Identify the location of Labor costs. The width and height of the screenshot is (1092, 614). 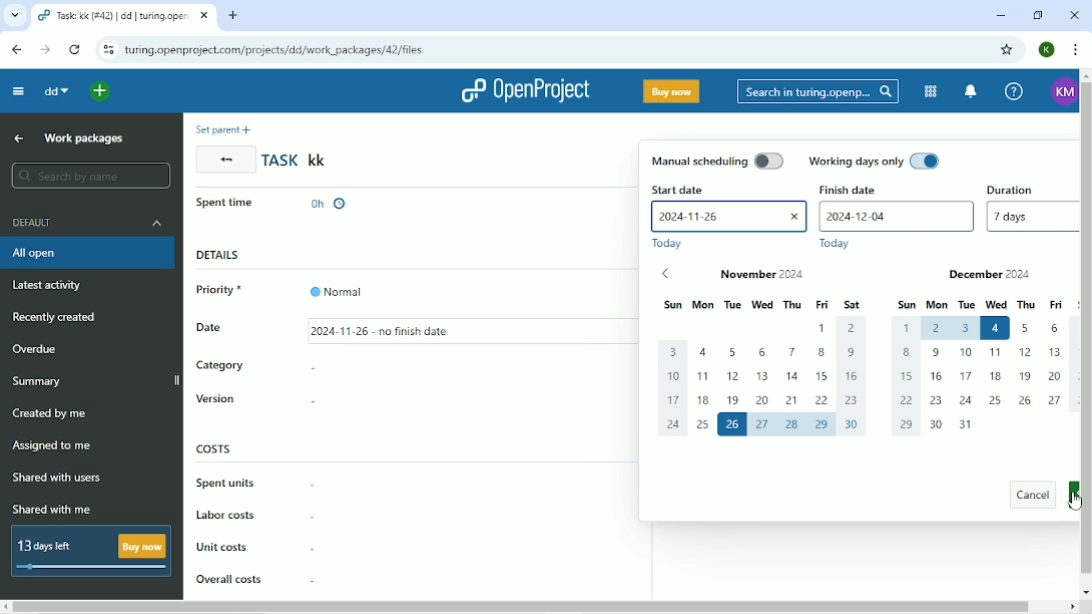
(253, 517).